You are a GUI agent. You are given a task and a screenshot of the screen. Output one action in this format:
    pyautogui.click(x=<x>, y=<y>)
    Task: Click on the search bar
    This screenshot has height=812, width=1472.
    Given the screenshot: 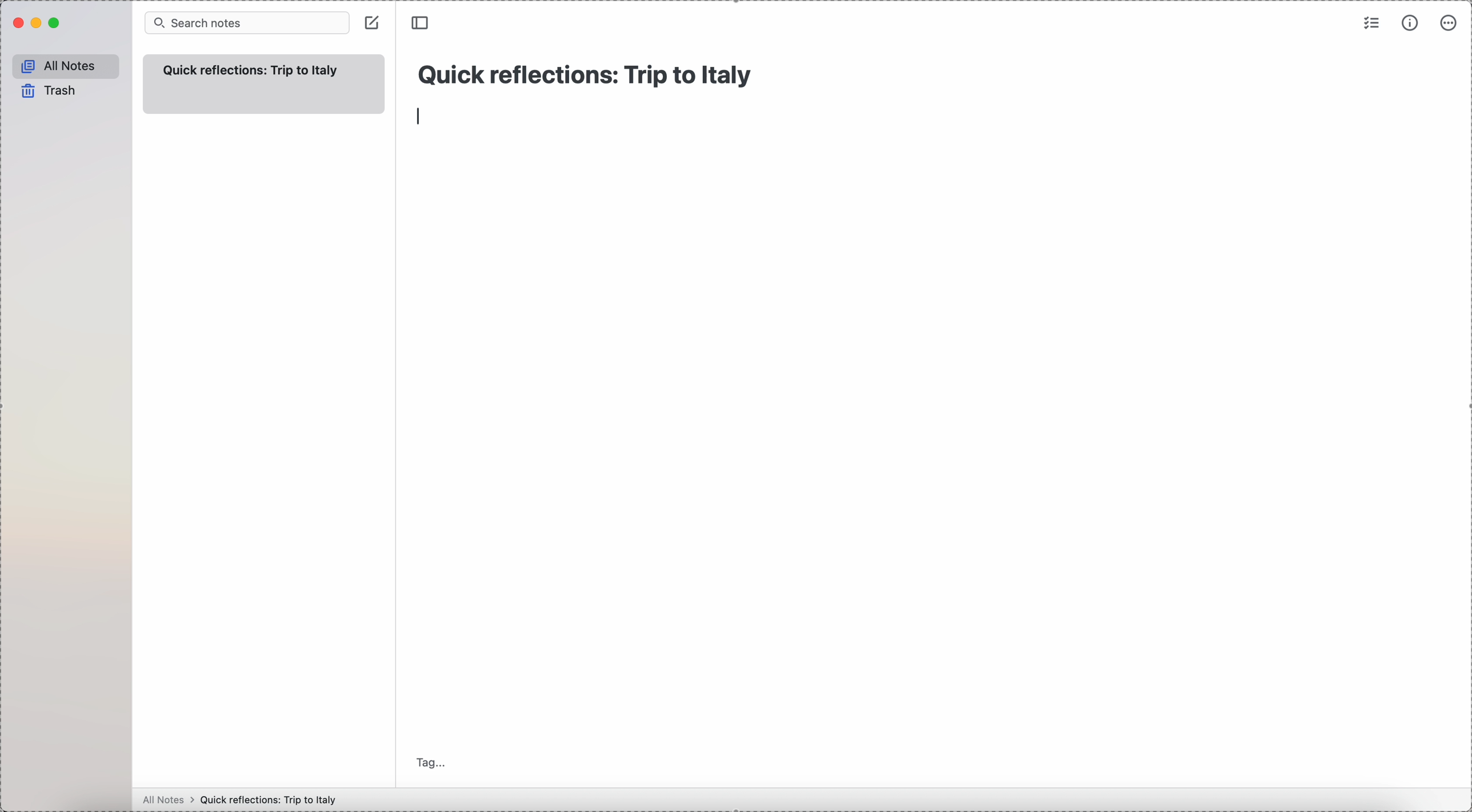 What is the action you would take?
    pyautogui.click(x=247, y=22)
    